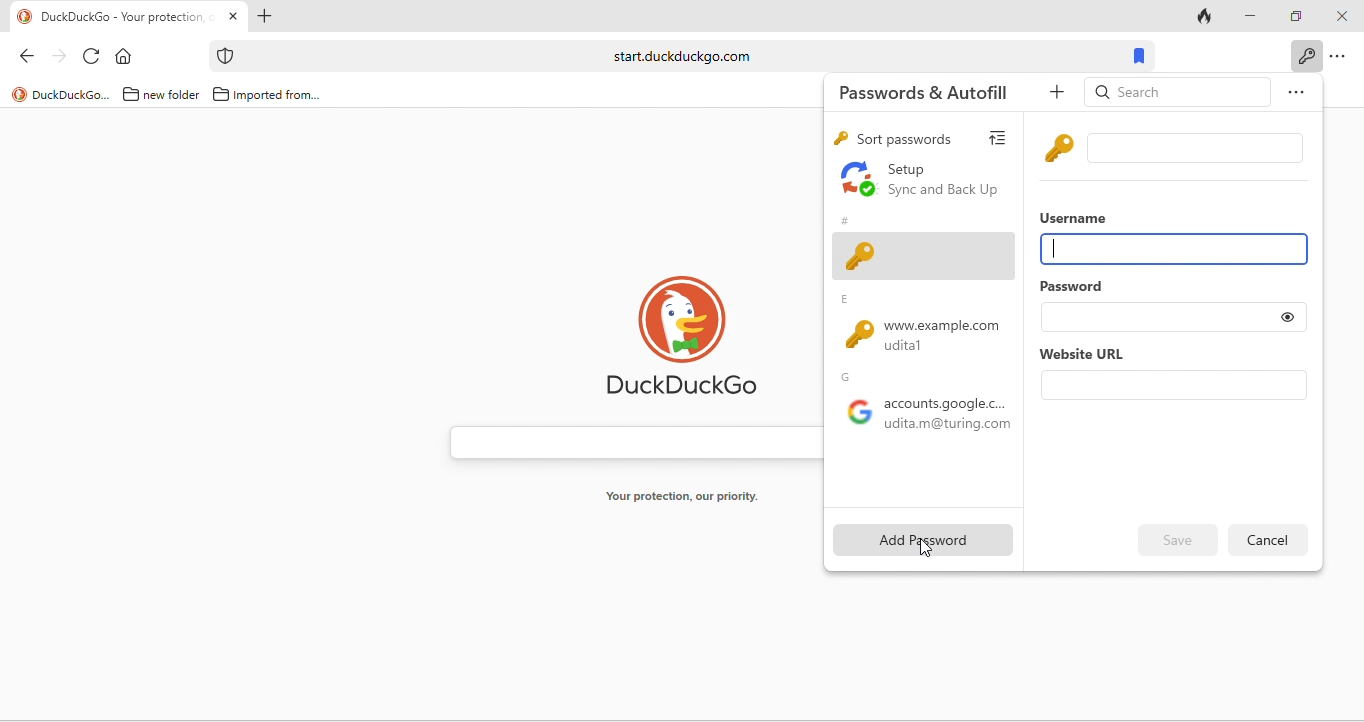  What do you see at coordinates (72, 96) in the screenshot?
I see `duckduckgo...` at bounding box center [72, 96].